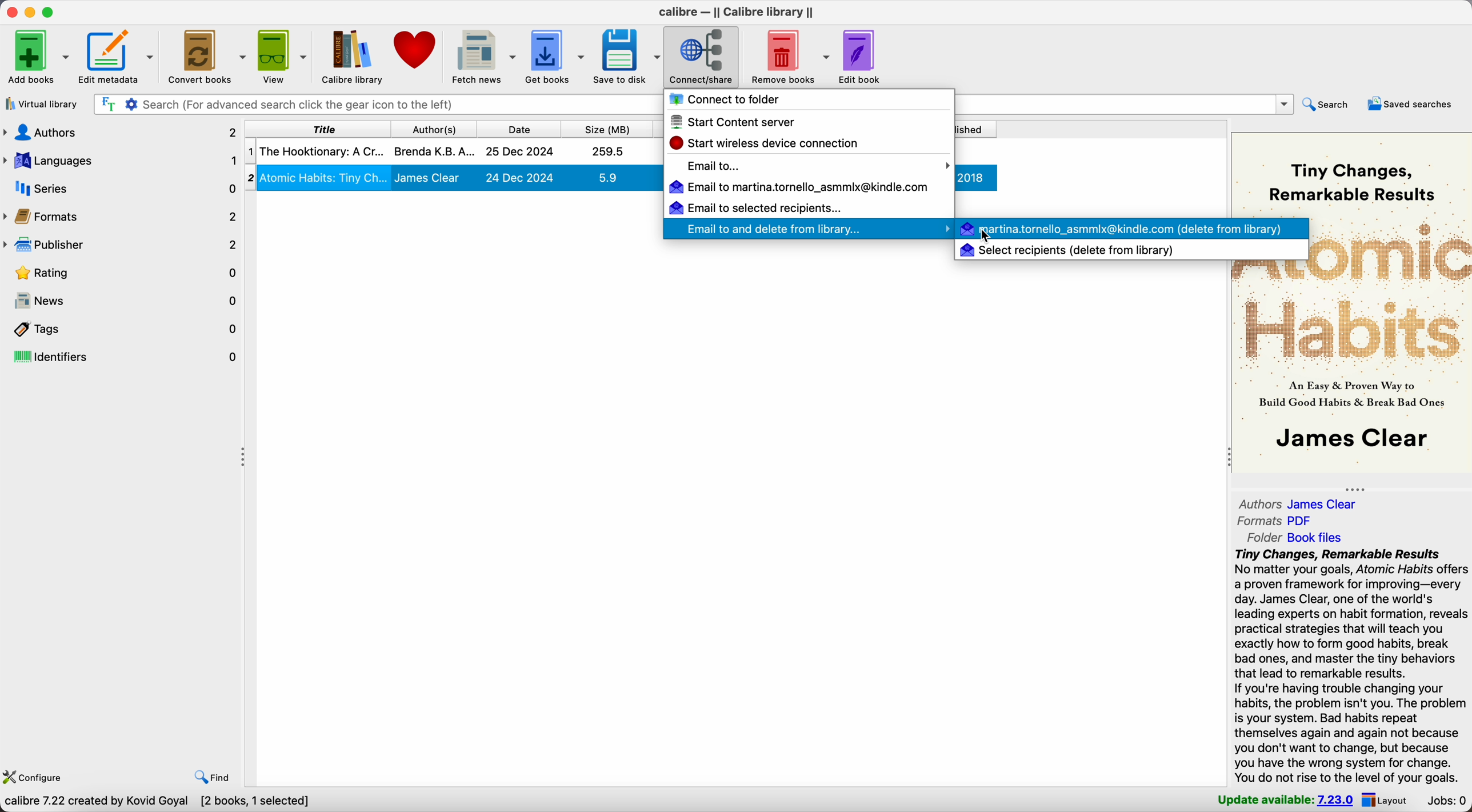  Describe the element at coordinates (161, 802) in the screenshot. I see `Calibre 7.22 created by koyal goyal [2 books, 1 selected]` at that location.